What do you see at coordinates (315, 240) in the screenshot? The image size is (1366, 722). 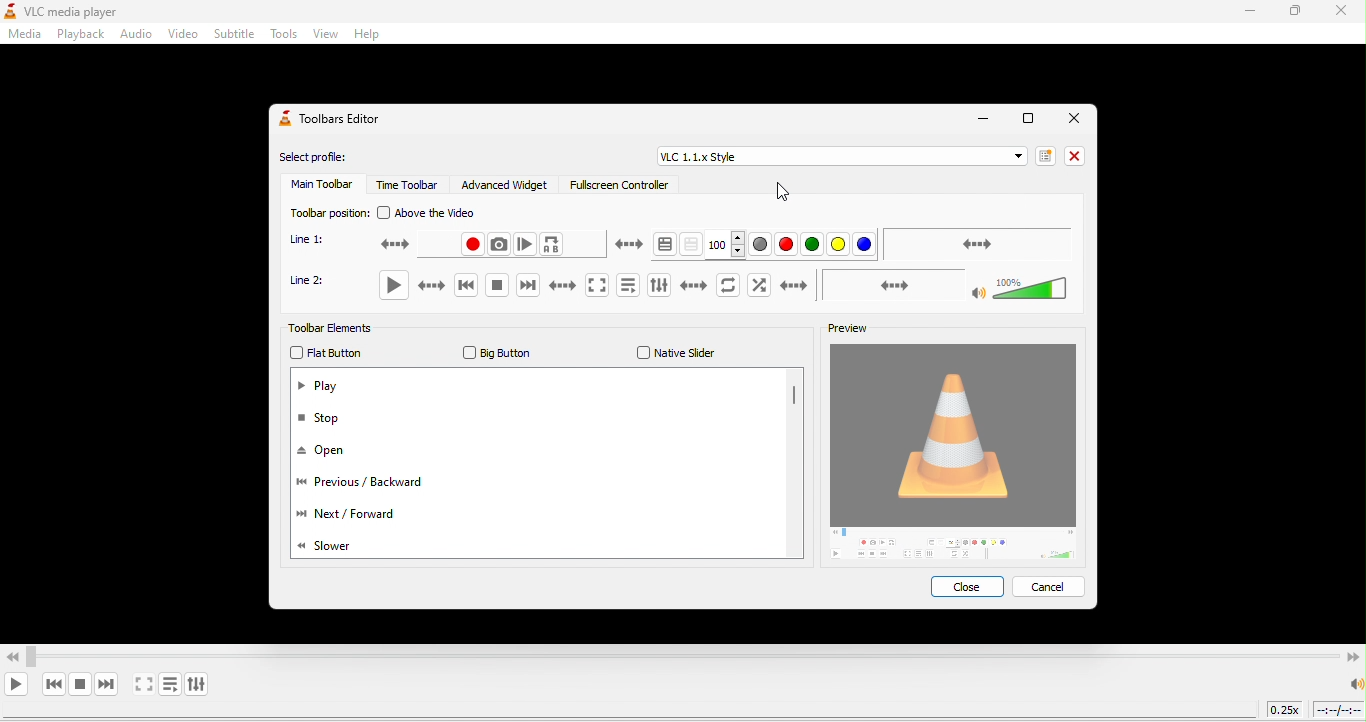 I see `line 1` at bounding box center [315, 240].